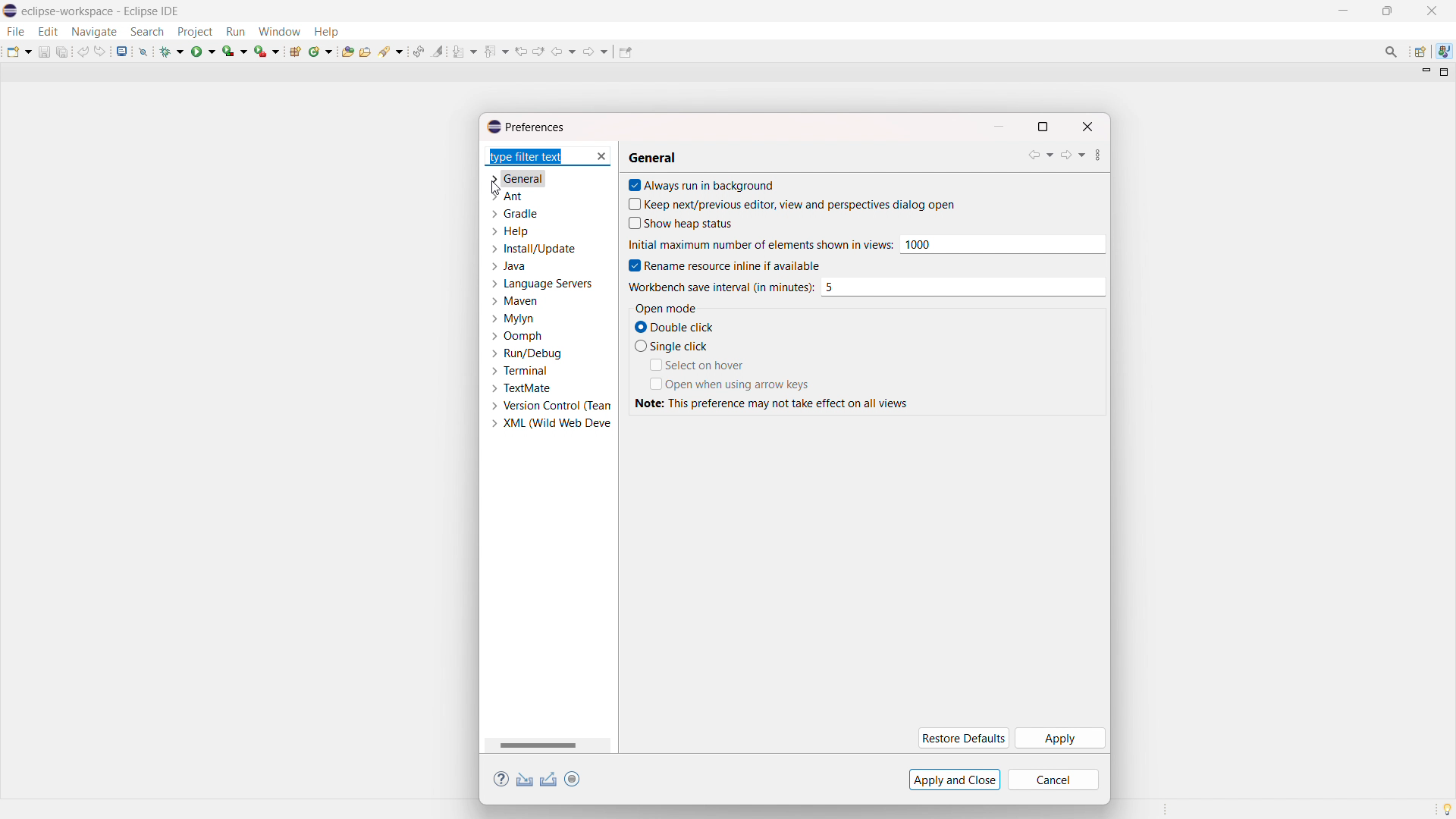 The height and width of the screenshot is (819, 1456). What do you see at coordinates (653, 365) in the screenshot?
I see `Checkbox` at bounding box center [653, 365].